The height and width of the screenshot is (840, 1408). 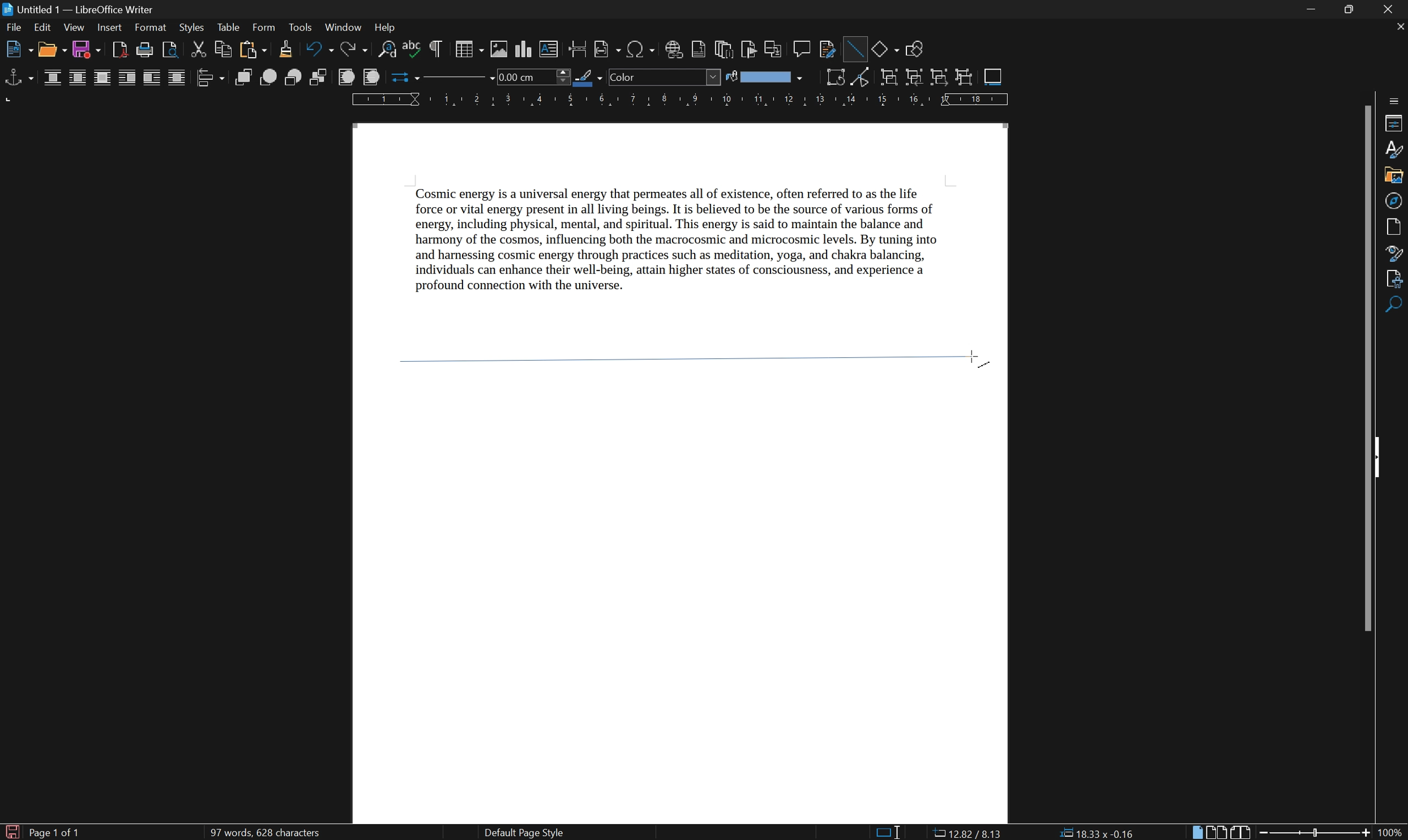 I want to click on insert endnote, so click(x=722, y=49).